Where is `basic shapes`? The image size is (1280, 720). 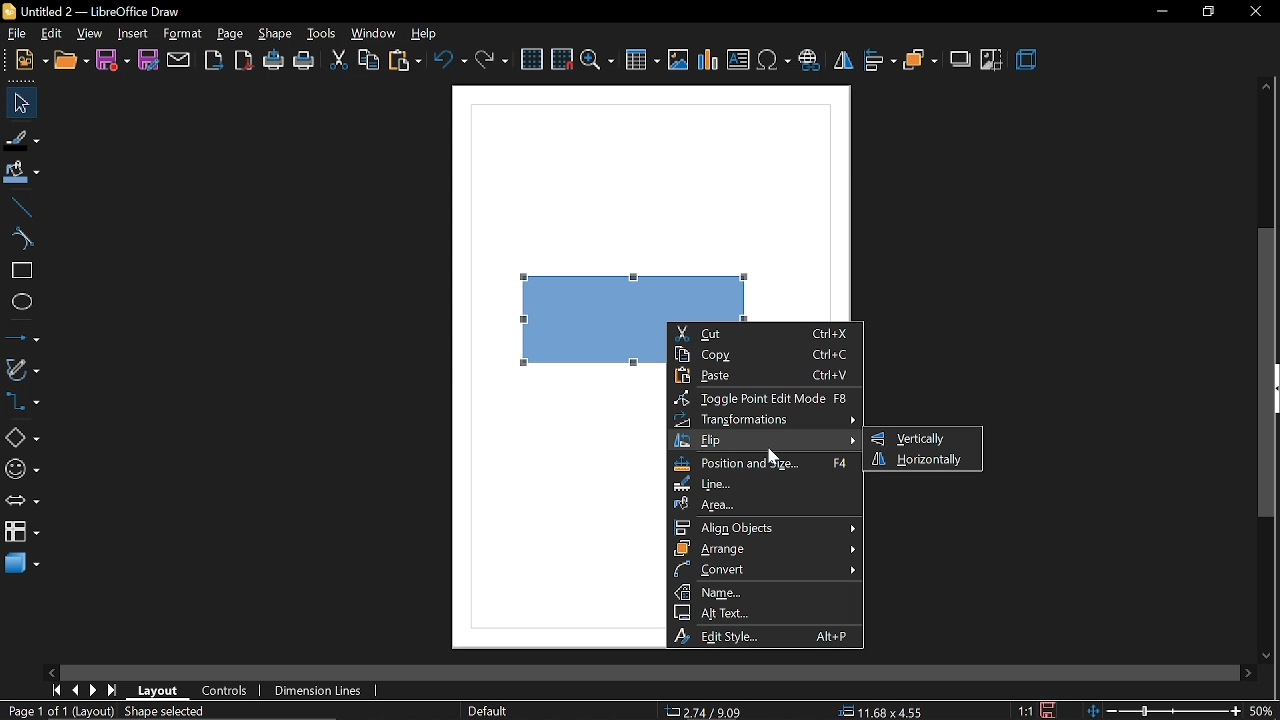
basic shapes is located at coordinates (20, 437).